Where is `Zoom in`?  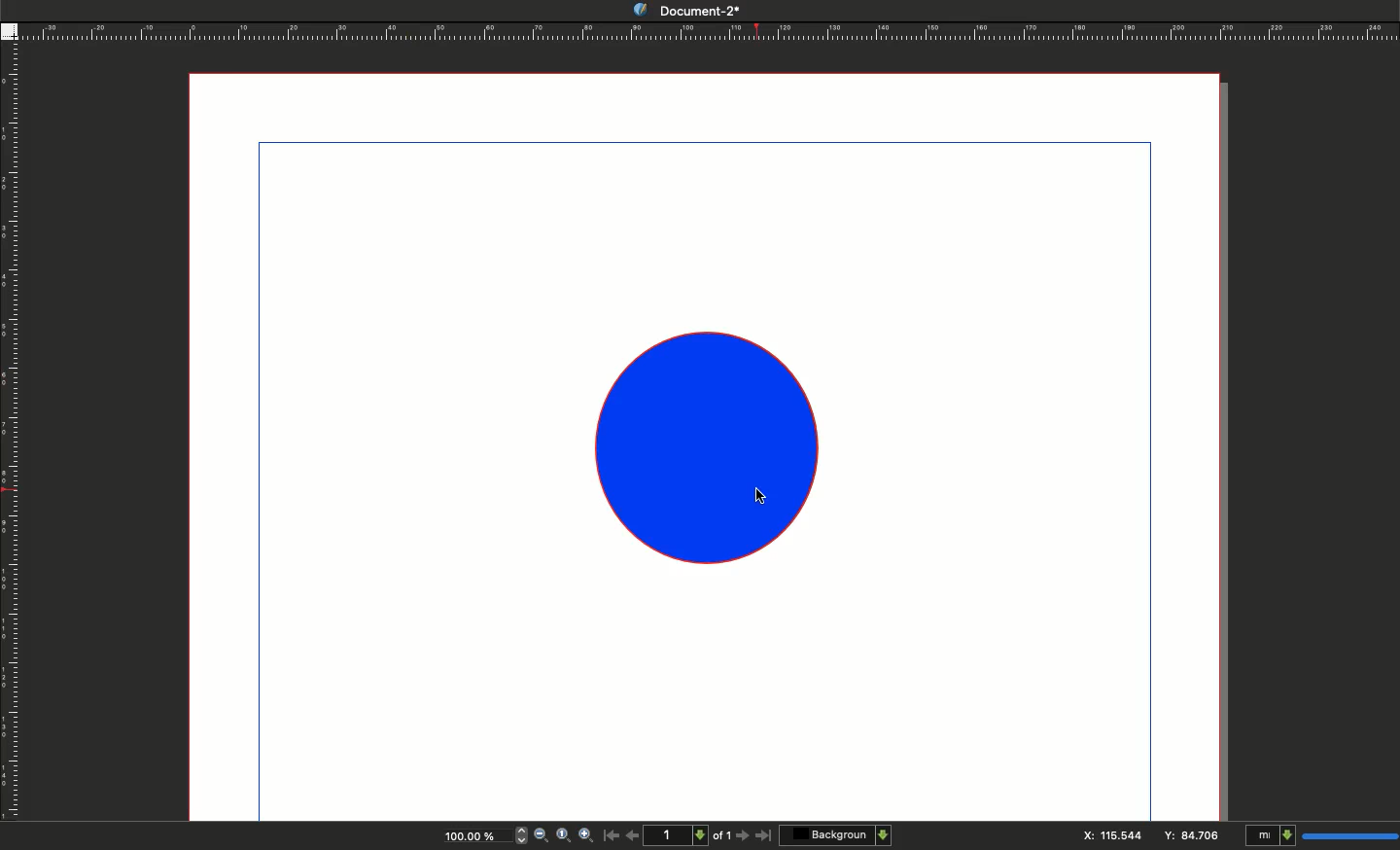 Zoom in is located at coordinates (587, 836).